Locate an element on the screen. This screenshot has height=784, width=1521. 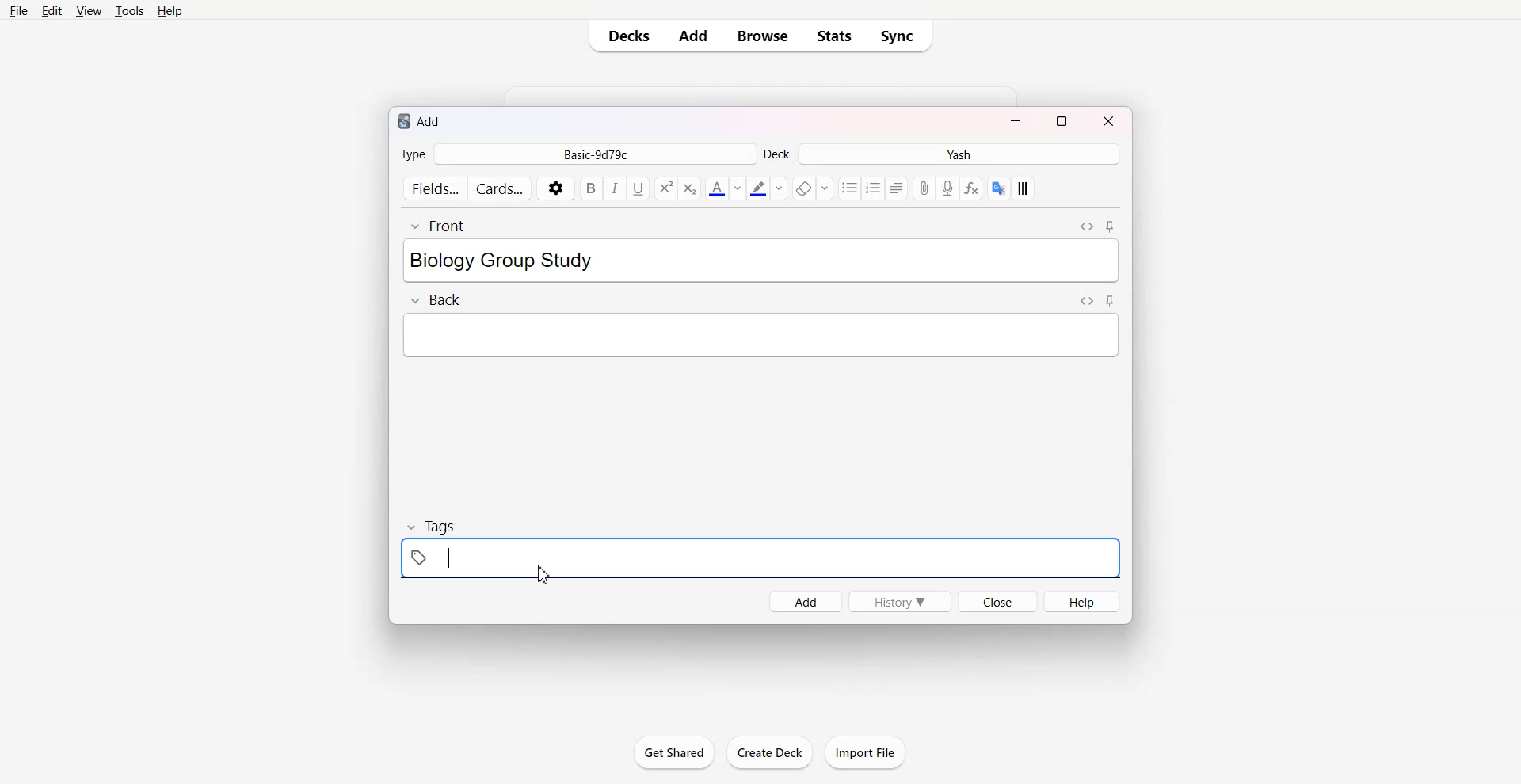
Minimize is located at coordinates (1016, 120).